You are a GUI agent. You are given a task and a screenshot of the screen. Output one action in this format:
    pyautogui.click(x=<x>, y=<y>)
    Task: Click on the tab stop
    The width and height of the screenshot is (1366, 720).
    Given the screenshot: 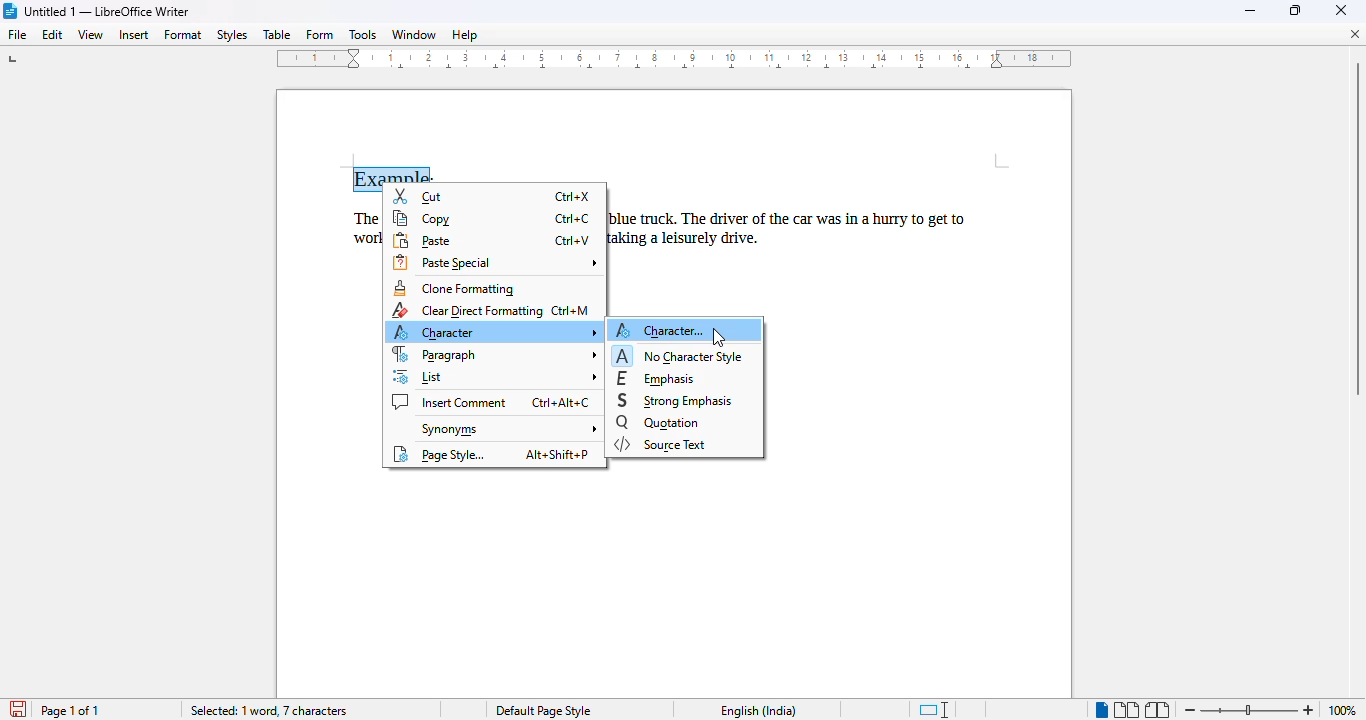 What is the action you would take?
    pyautogui.click(x=13, y=61)
    